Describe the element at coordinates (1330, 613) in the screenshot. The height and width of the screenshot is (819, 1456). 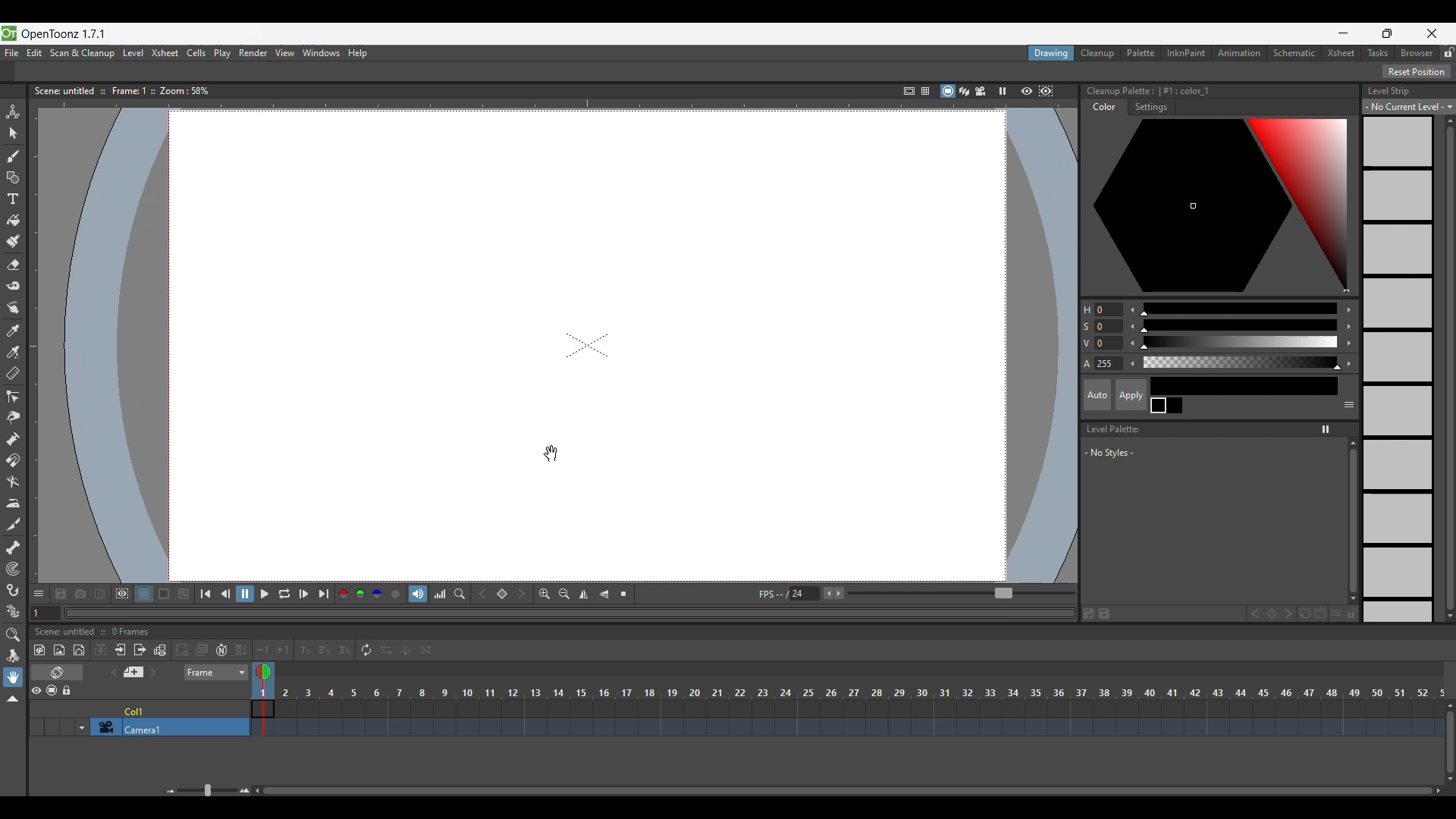
I see `New style` at that location.